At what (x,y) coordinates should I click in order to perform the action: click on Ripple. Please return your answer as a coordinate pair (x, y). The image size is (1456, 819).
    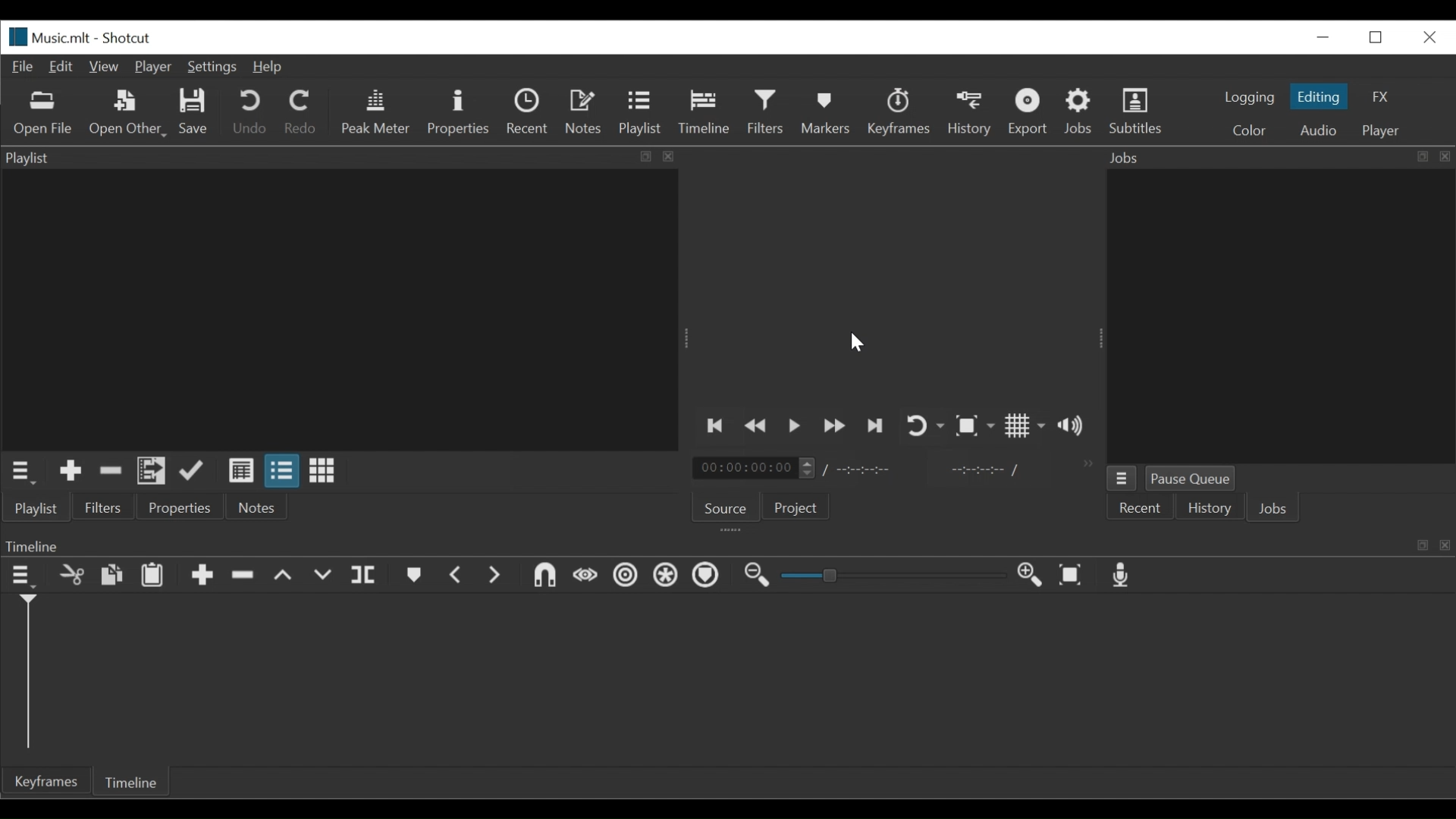
    Looking at the image, I should click on (624, 576).